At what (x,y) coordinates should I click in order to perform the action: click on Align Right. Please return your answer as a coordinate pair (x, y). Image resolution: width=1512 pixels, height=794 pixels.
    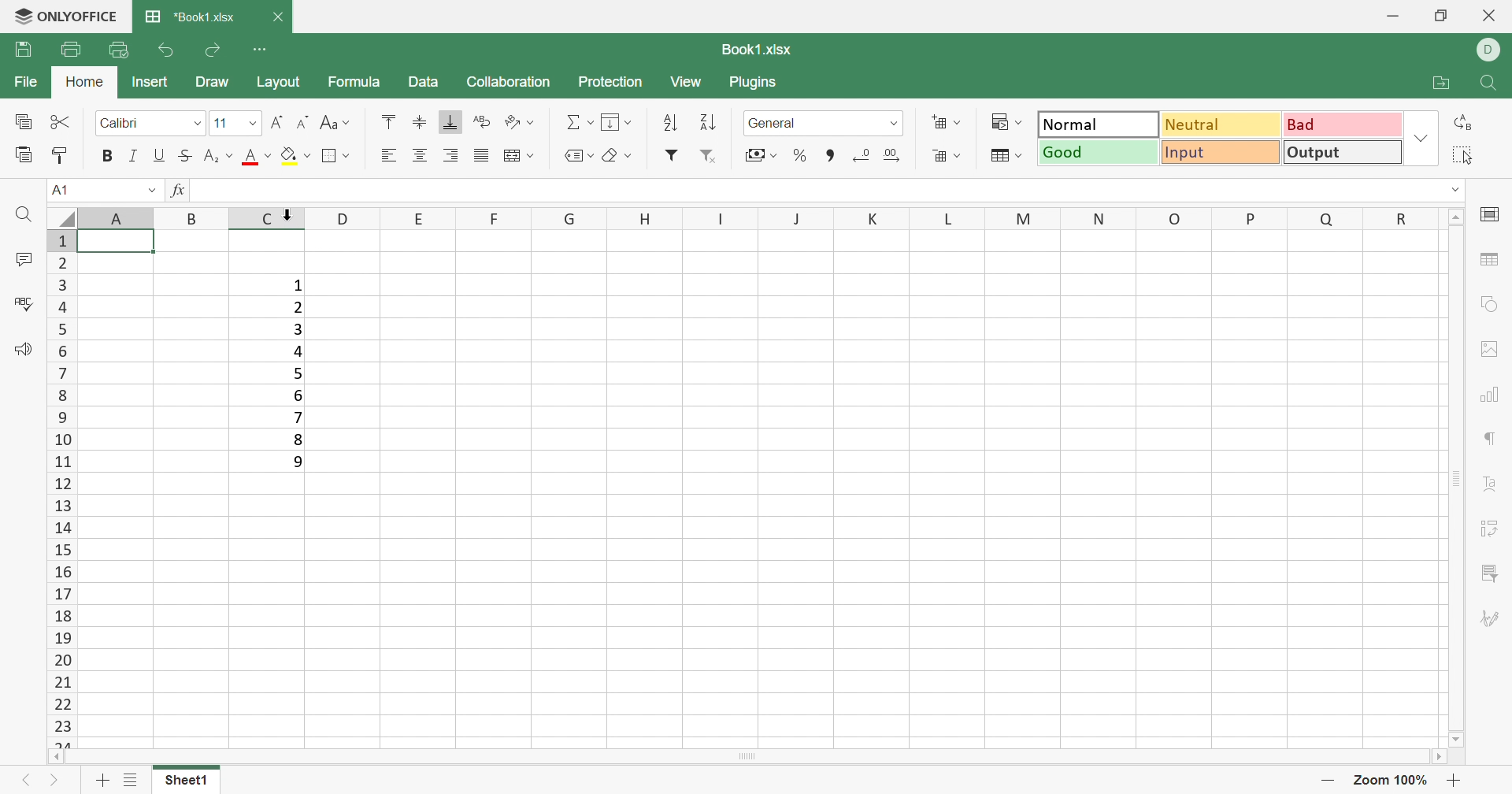
    Looking at the image, I should click on (452, 154).